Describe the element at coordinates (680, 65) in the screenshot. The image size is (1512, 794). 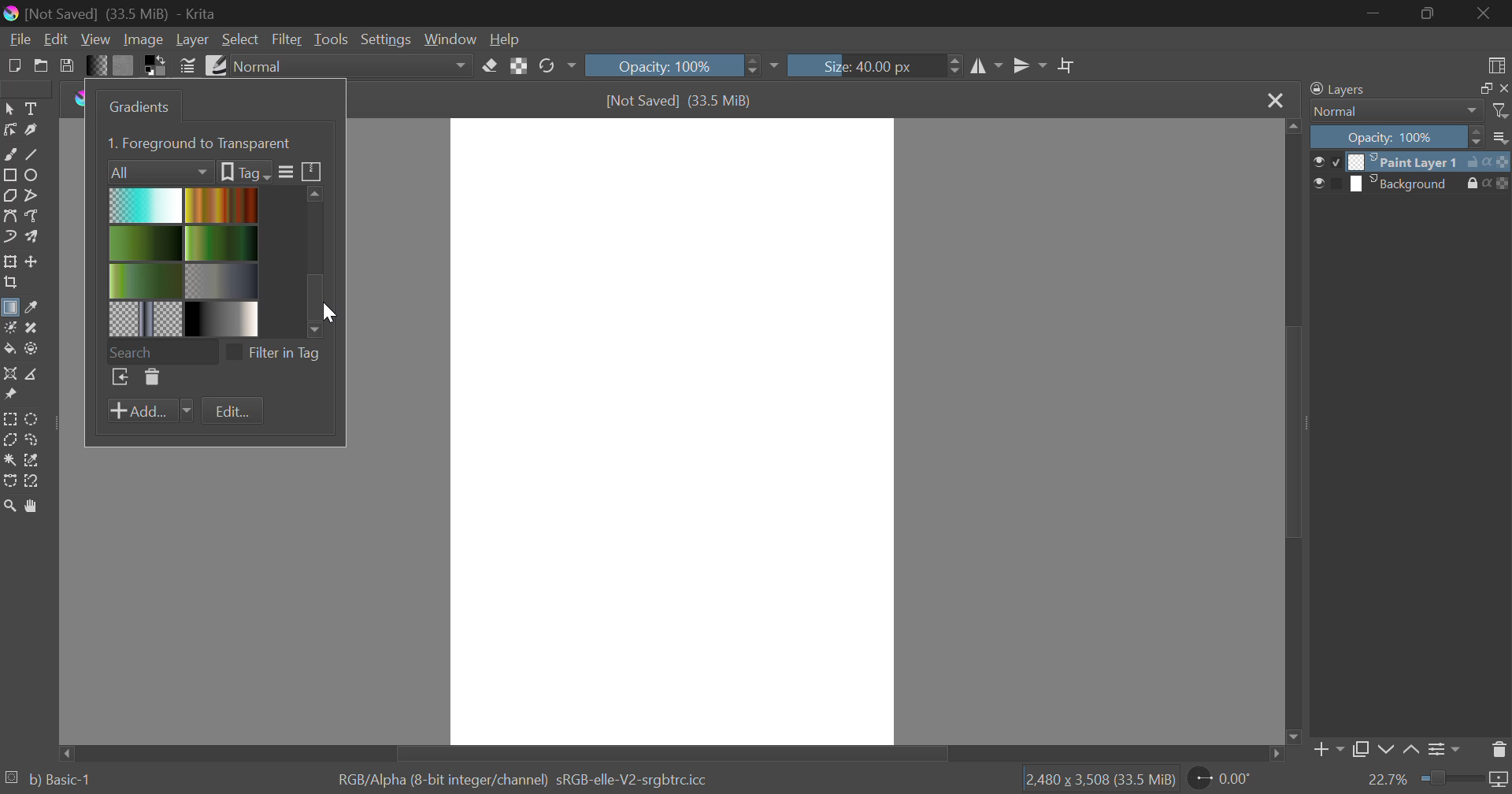
I see `Opacity: 100%` at that location.